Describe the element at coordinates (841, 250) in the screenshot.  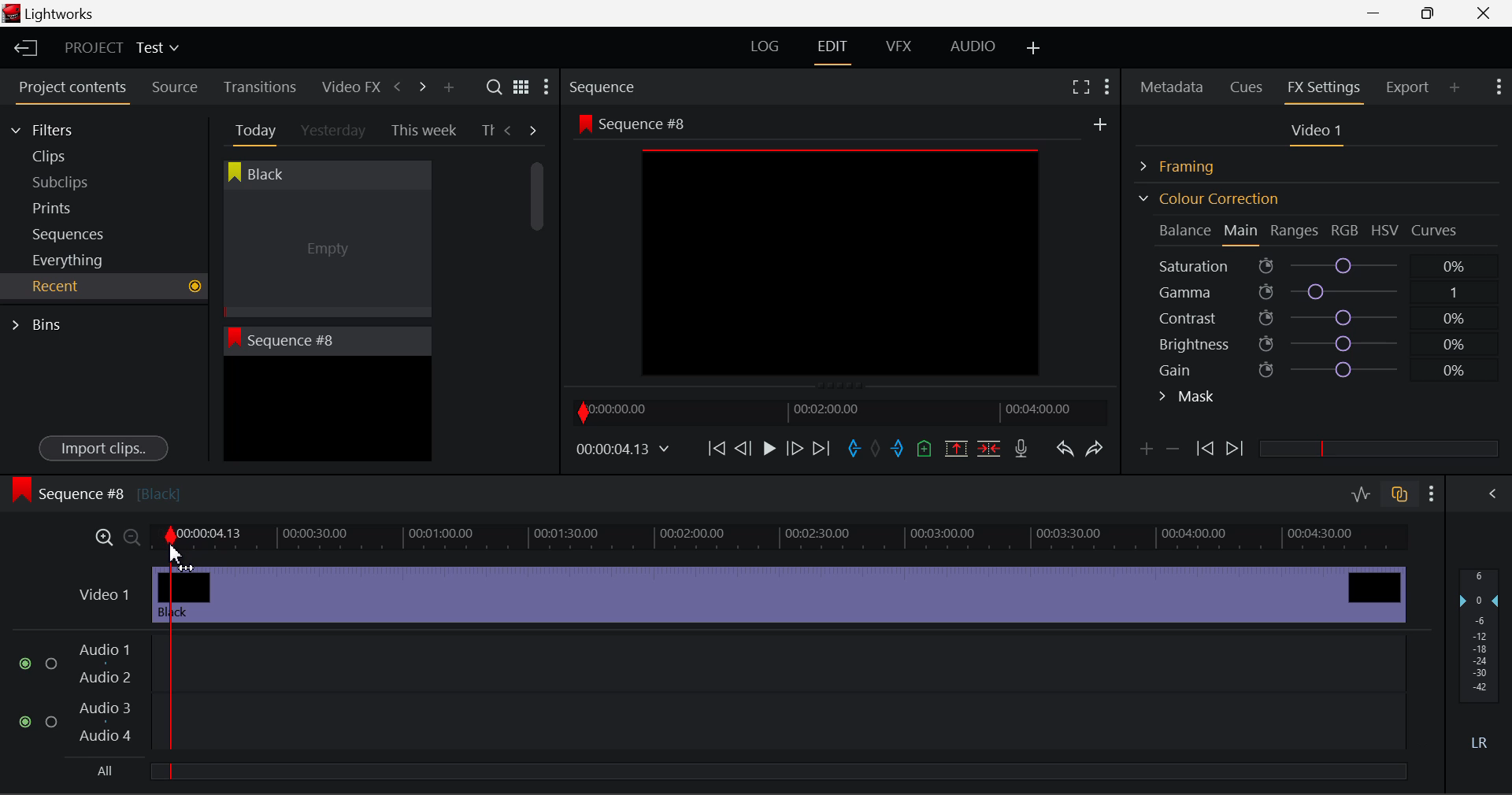
I see `Sequence #8 Preview Screen` at that location.